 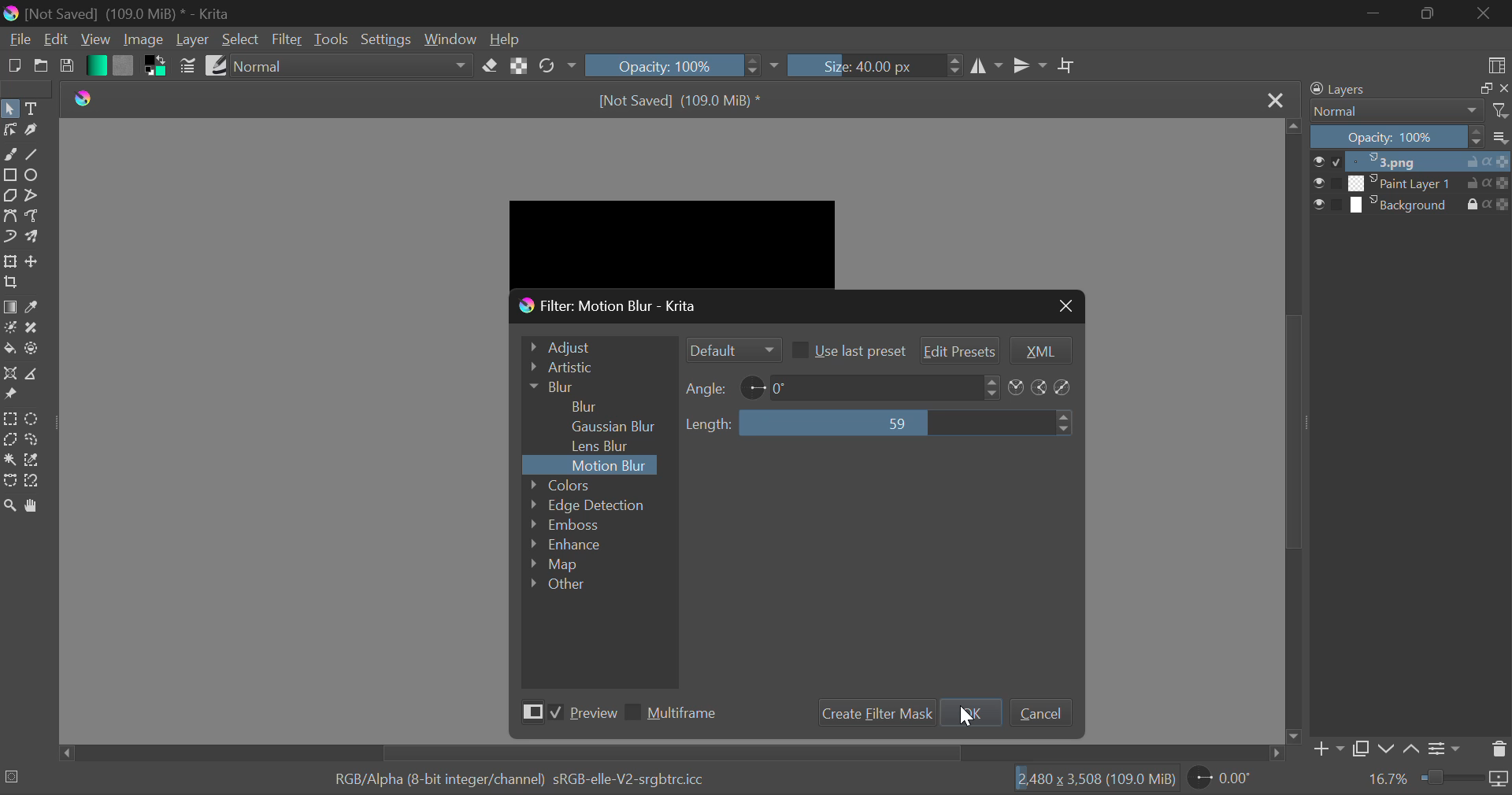 What do you see at coordinates (595, 368) in the screenshot?
I see `Artistic` at bounding box center [595, 368].